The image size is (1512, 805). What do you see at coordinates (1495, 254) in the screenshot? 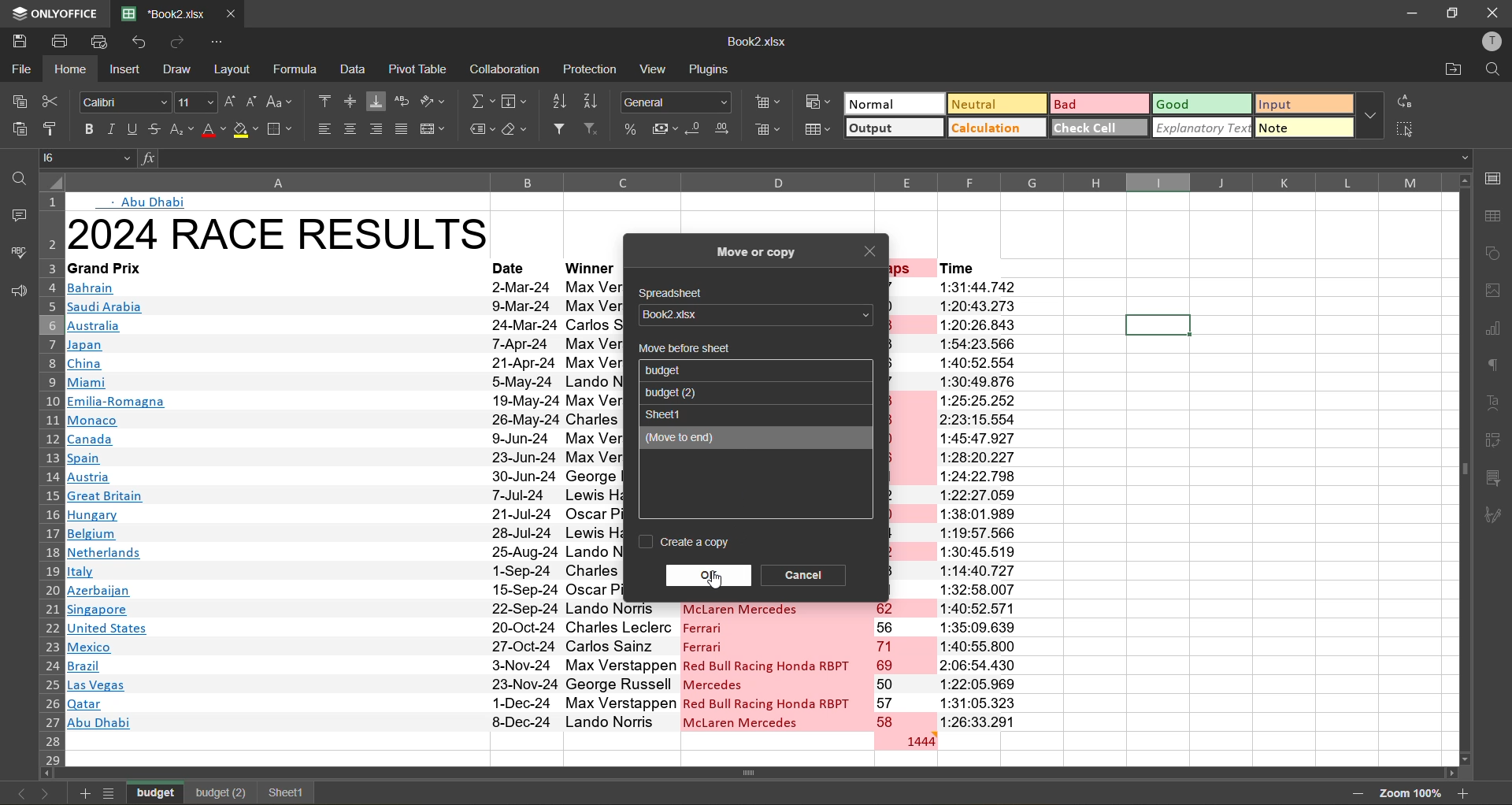
I see `shapes` at bounding box center [1495, 254].